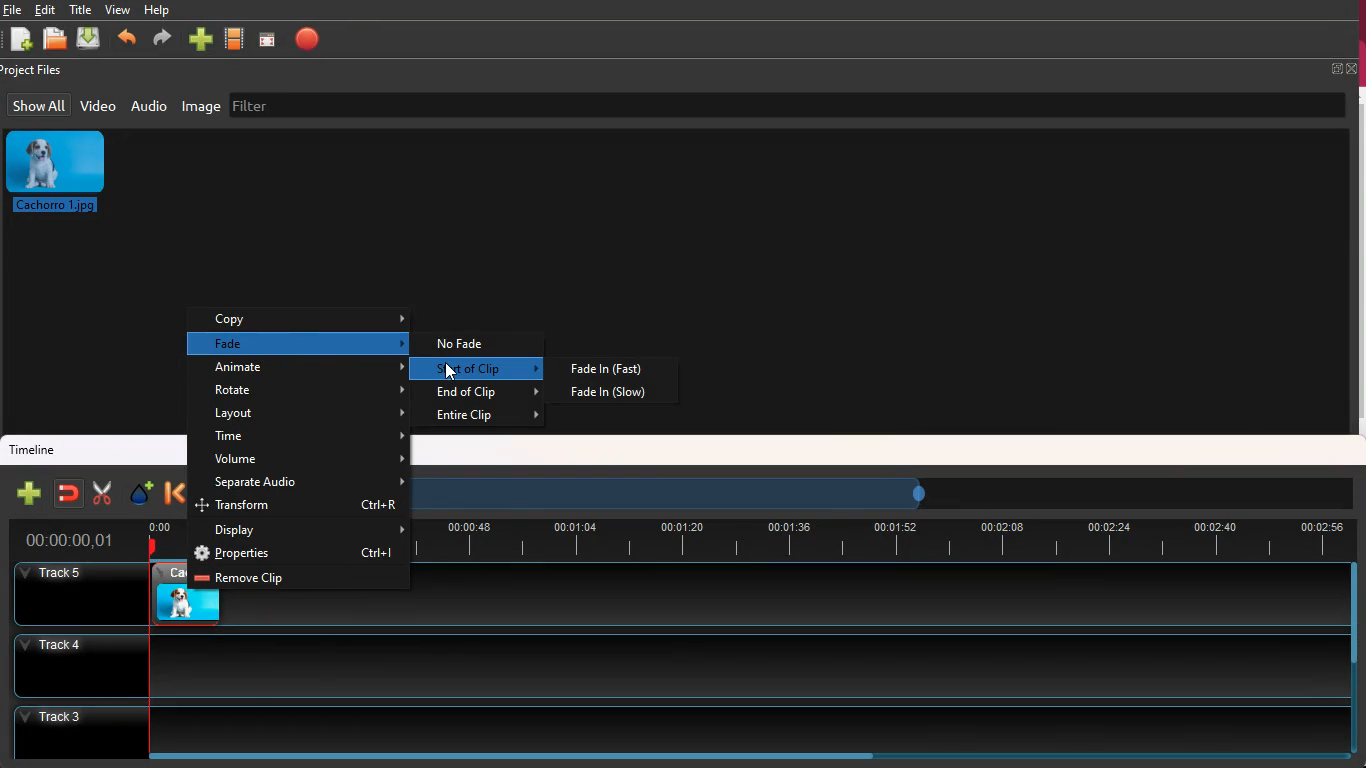 Image resolution: width=1366 pixels, height=768 pixels. What do you see at coordinates (312, 38) in the screenshot?
I see `stop` at bounding box center [312, 38].